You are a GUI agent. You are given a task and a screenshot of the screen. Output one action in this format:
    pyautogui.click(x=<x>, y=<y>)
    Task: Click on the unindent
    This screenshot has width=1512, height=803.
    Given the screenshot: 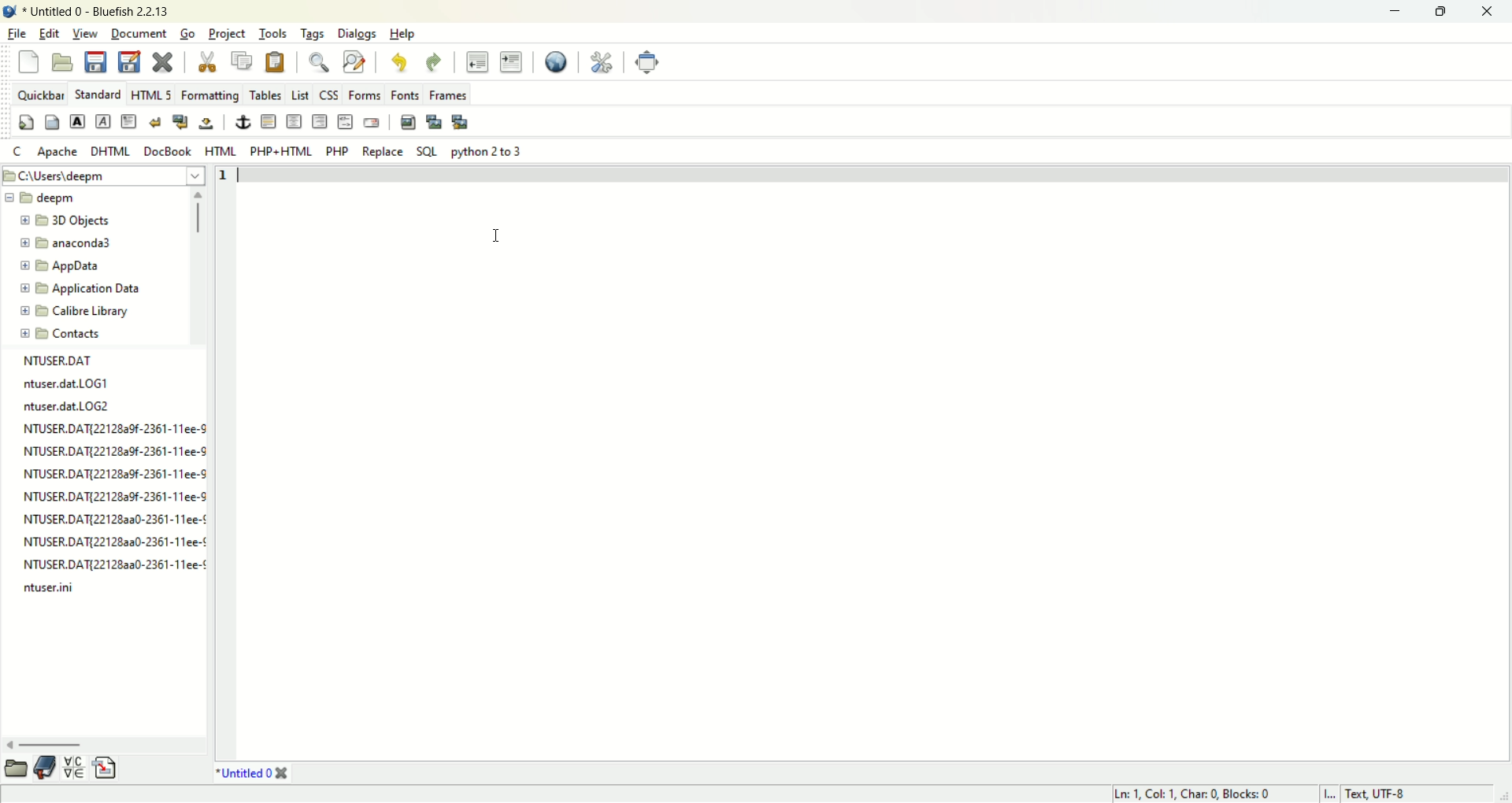 What is the action you would take?
    pyautogui.click(x=476, y=60)
    